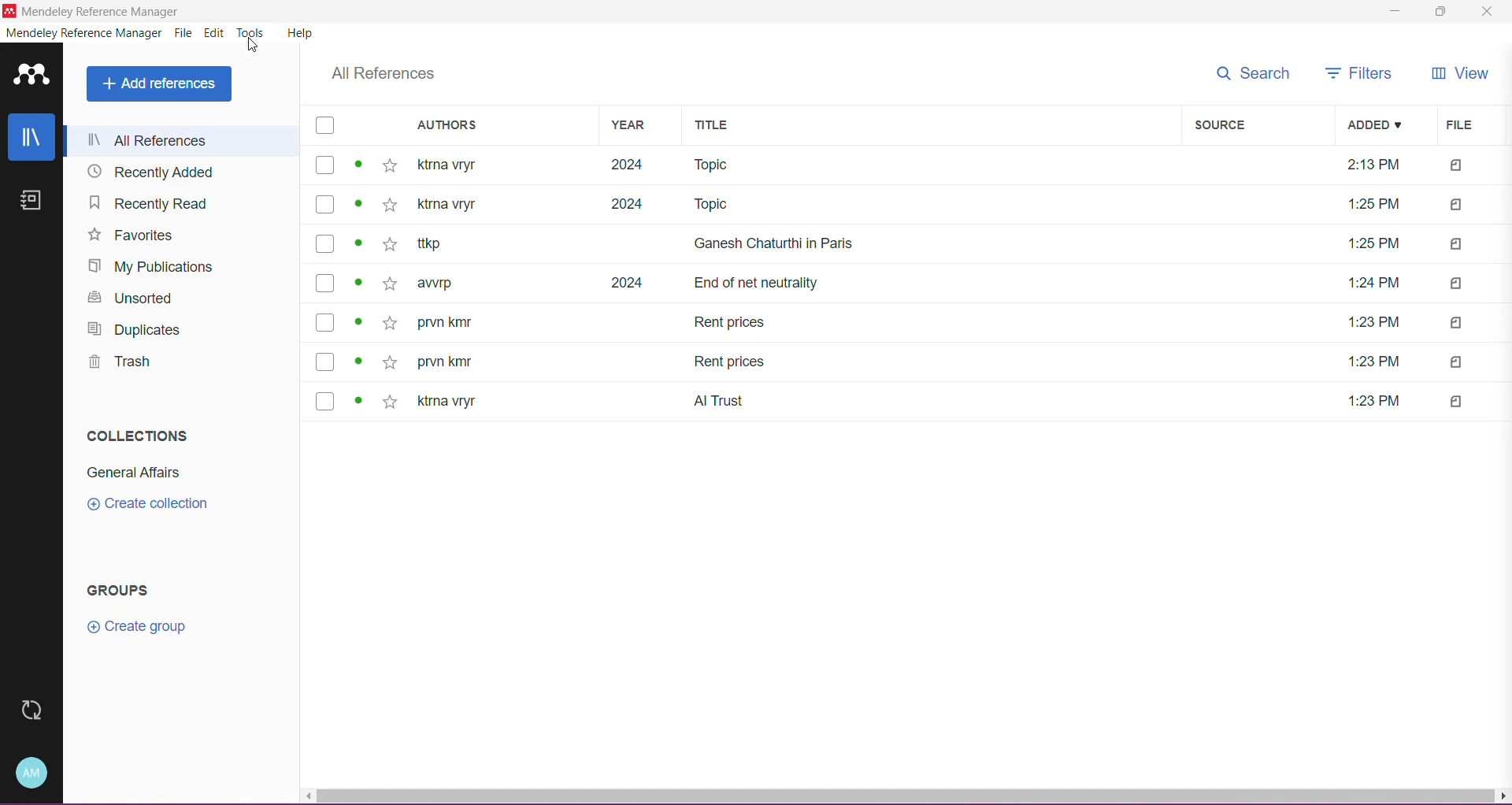 This screenshot has width=1512, height=805. Describe the element at coordinates (391, 169) in the screenshot. I see `Click to add references to Favorites` at that location.